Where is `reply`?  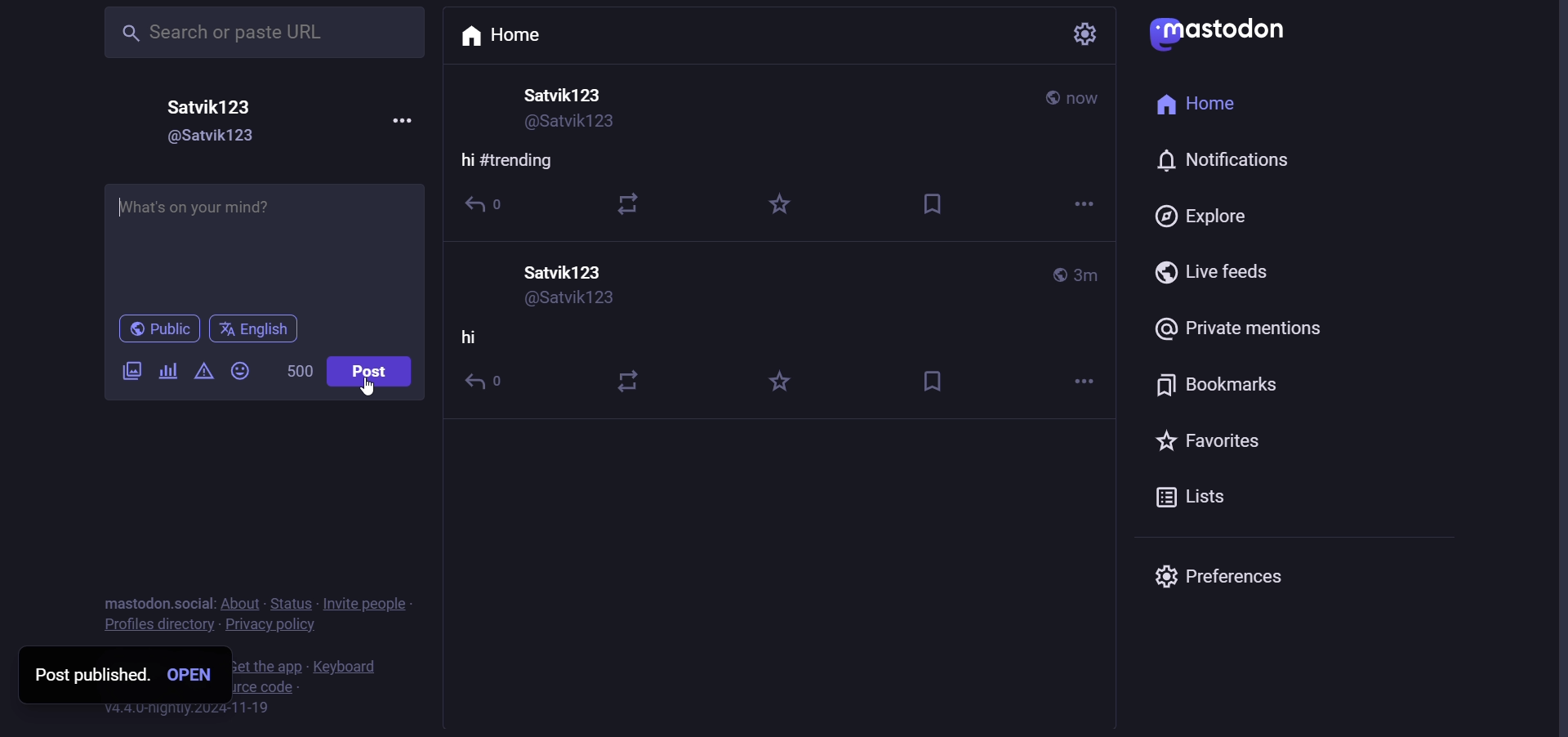
reply is located at coordinates (487, 378).